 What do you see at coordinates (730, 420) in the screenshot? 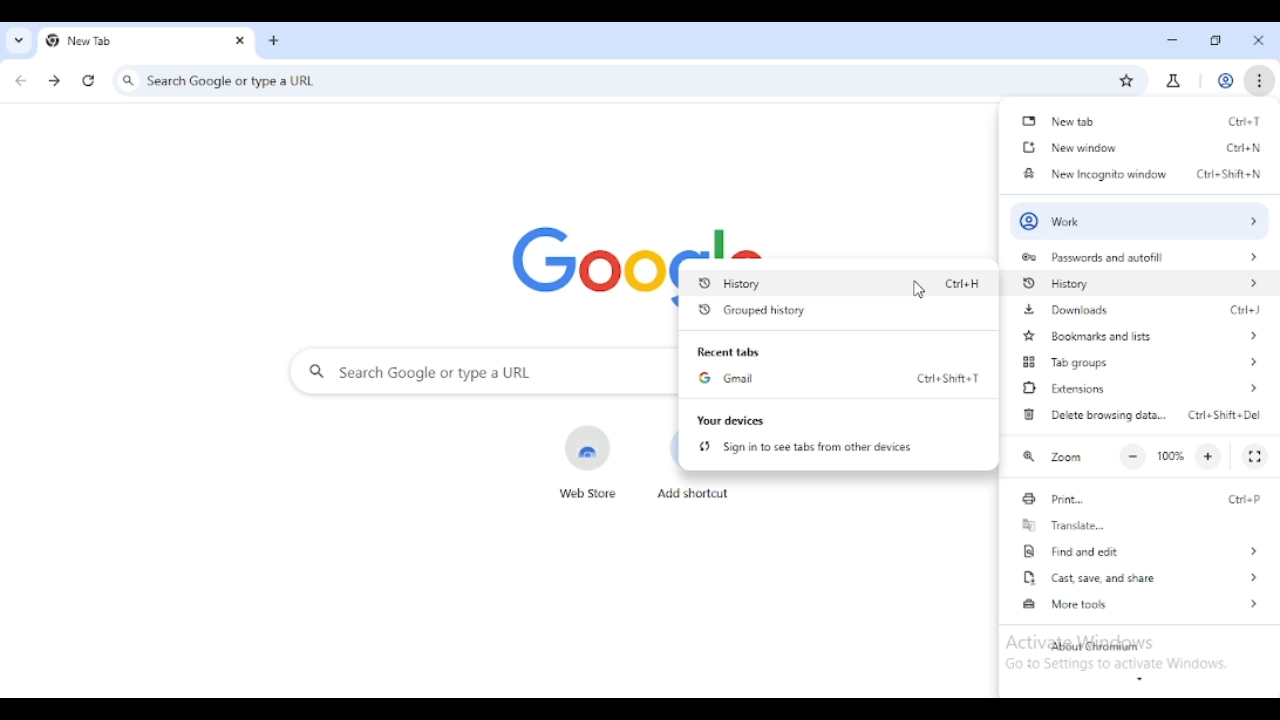
I see `your devices` at bounding box center [730, 420].